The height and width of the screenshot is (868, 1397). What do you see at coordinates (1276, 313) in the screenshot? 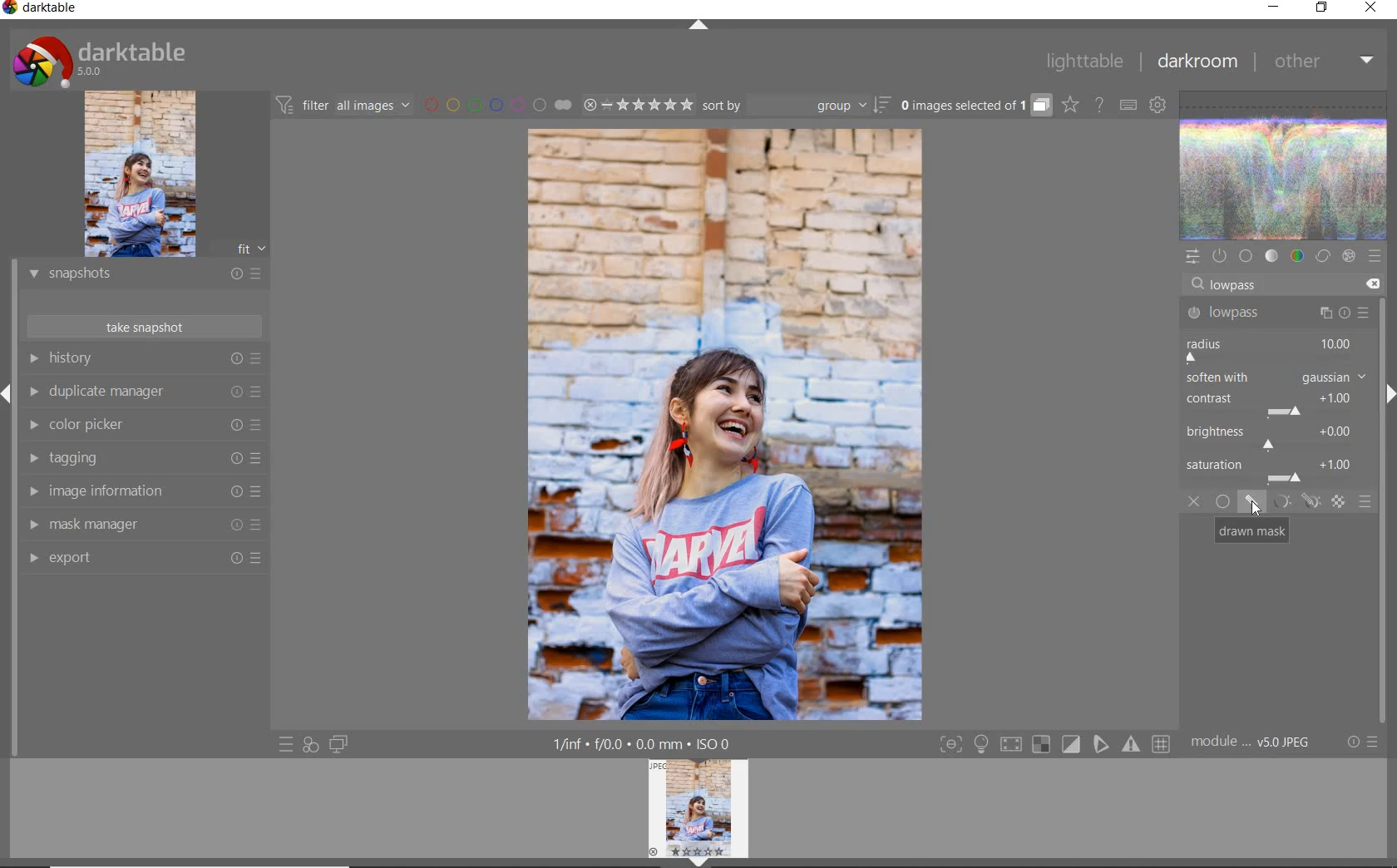
I see `lowpass` at bounding box center [1276, 313].